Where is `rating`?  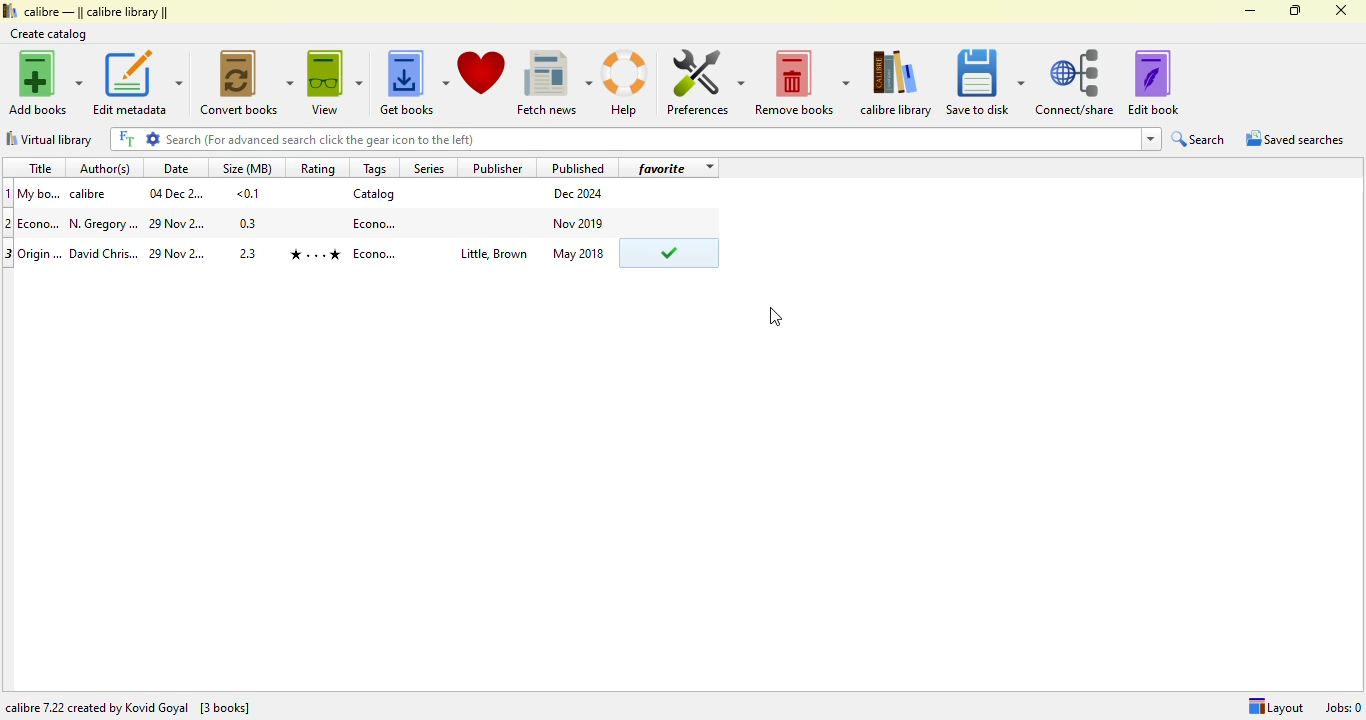
rating is located at coordinates (314, 254).